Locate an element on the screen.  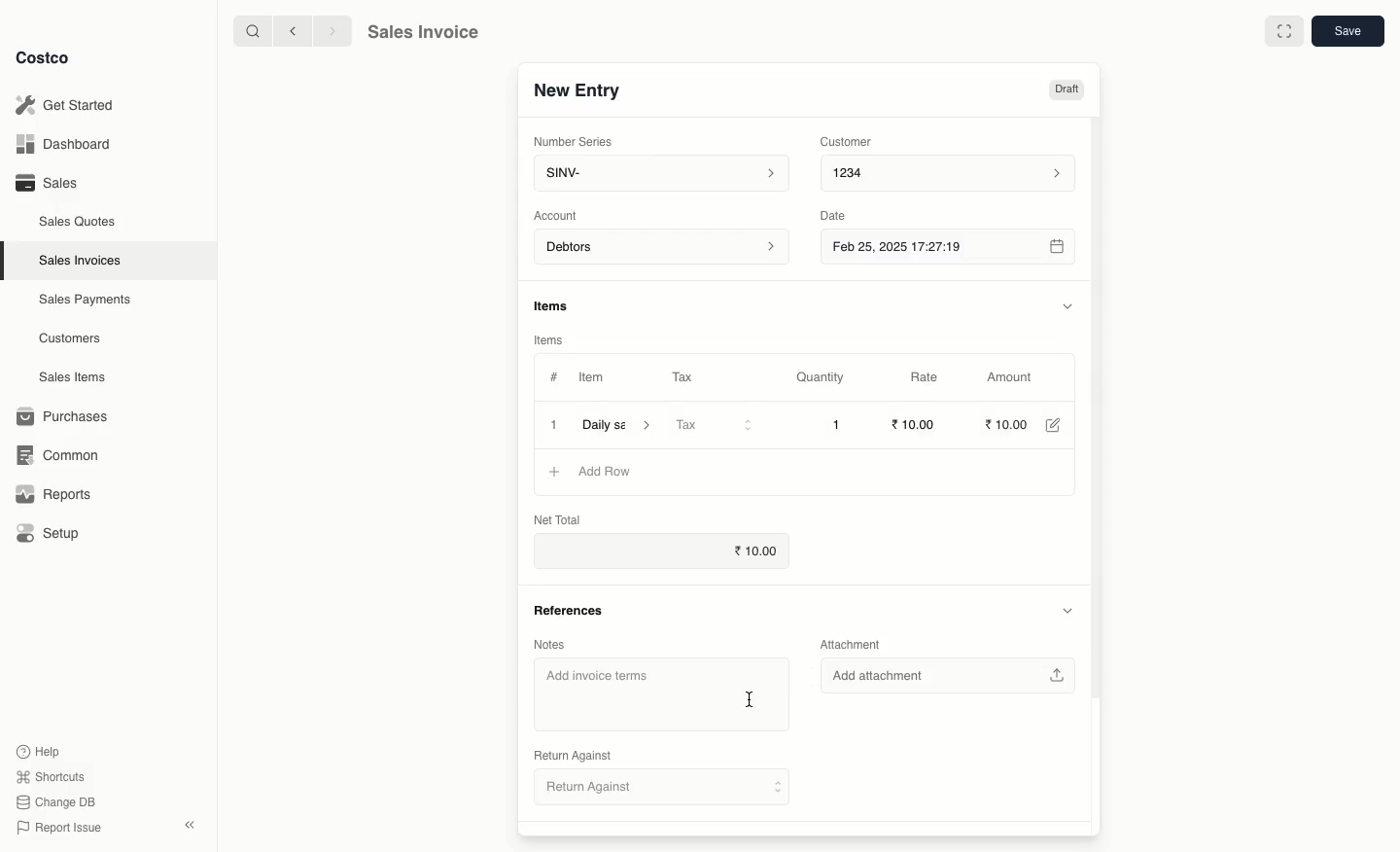
Shortcuts is located at coordinates (52, 775).